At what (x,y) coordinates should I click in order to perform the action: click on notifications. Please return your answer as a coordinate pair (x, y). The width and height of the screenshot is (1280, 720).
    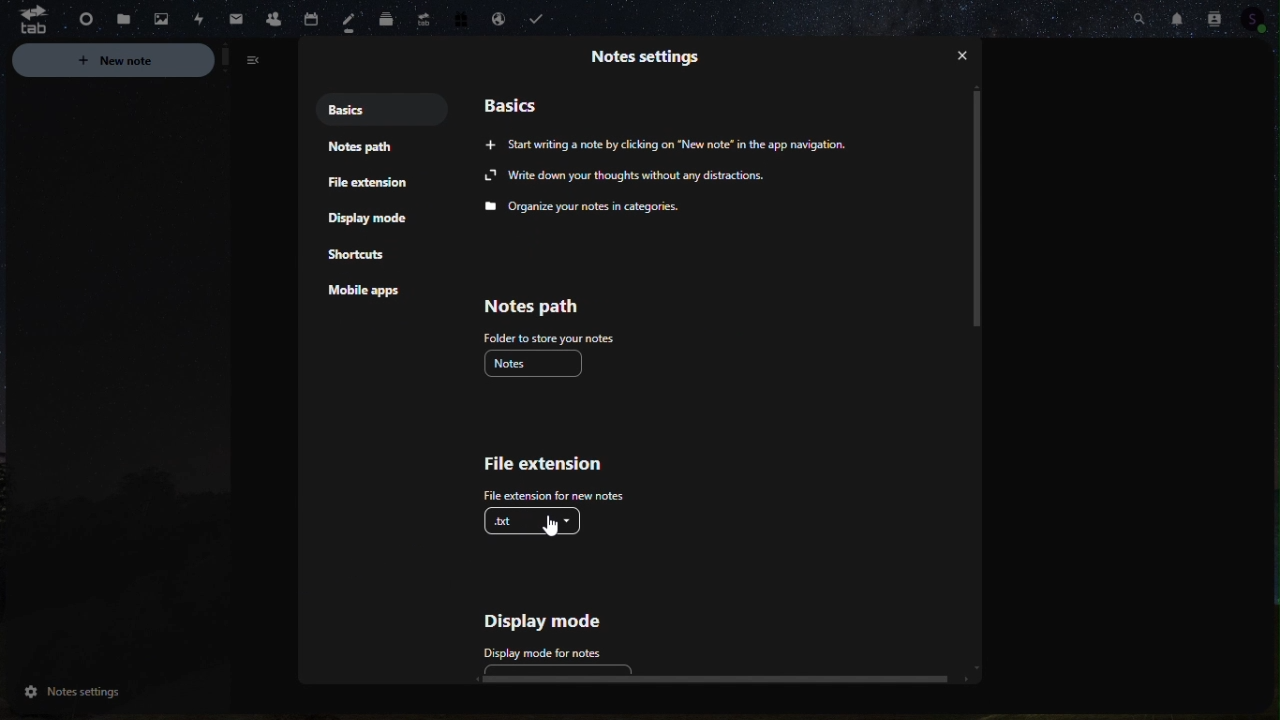
    Looking at the image, I should click on (1175, 16).